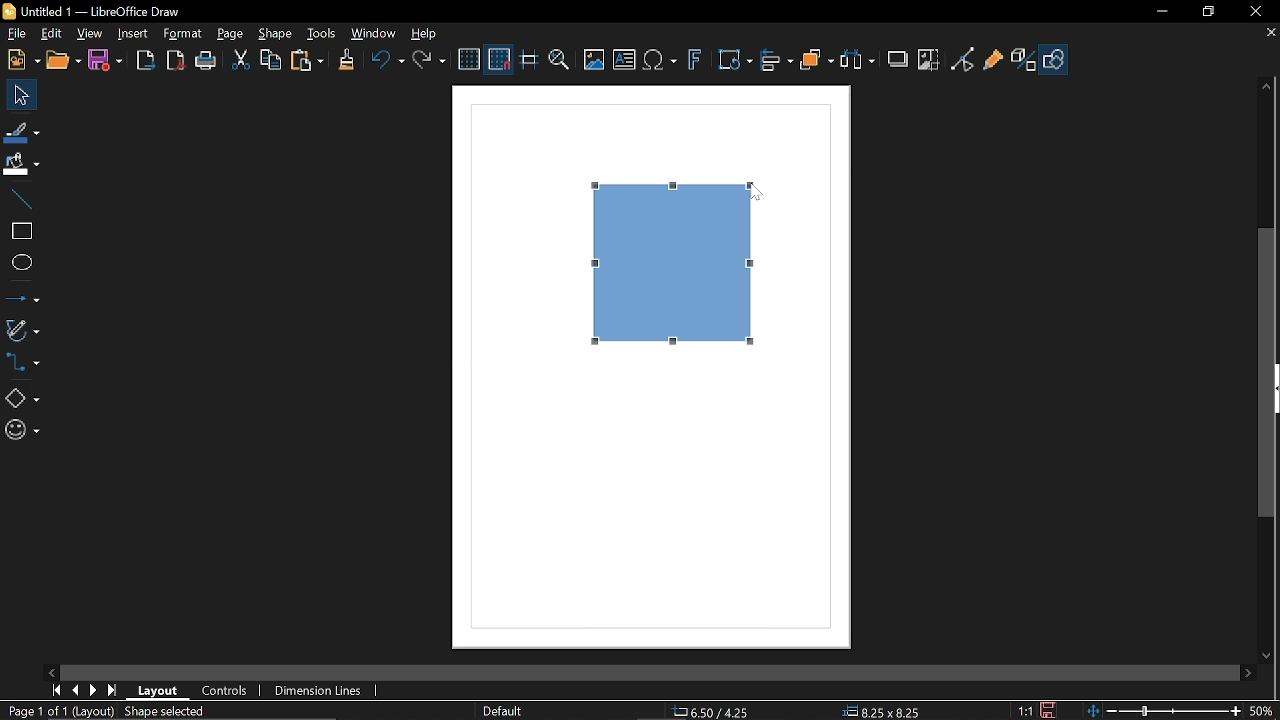 The width and height of the screenshot is (1280, 720). What do you see at coordinates (1050, 711) in the screenshot?
I see `Save` at bounding box center [1050, 711].